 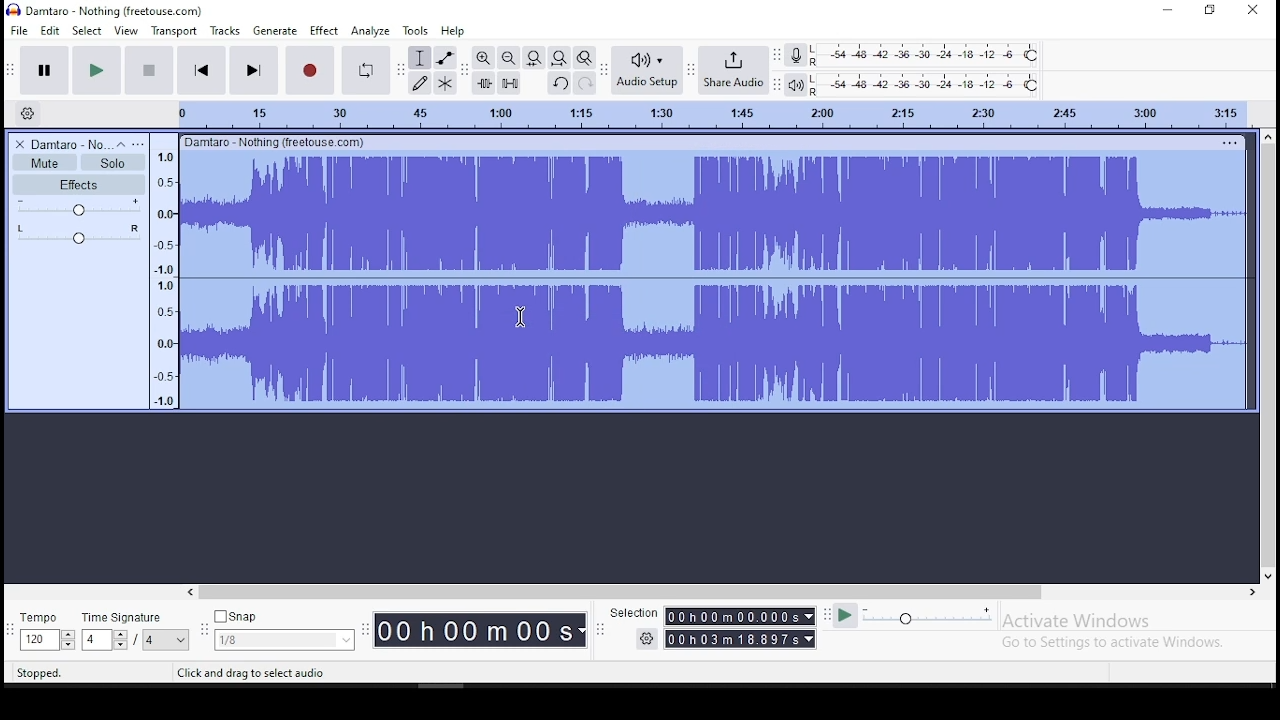 I want to click on view, so click(x=127, y=29).